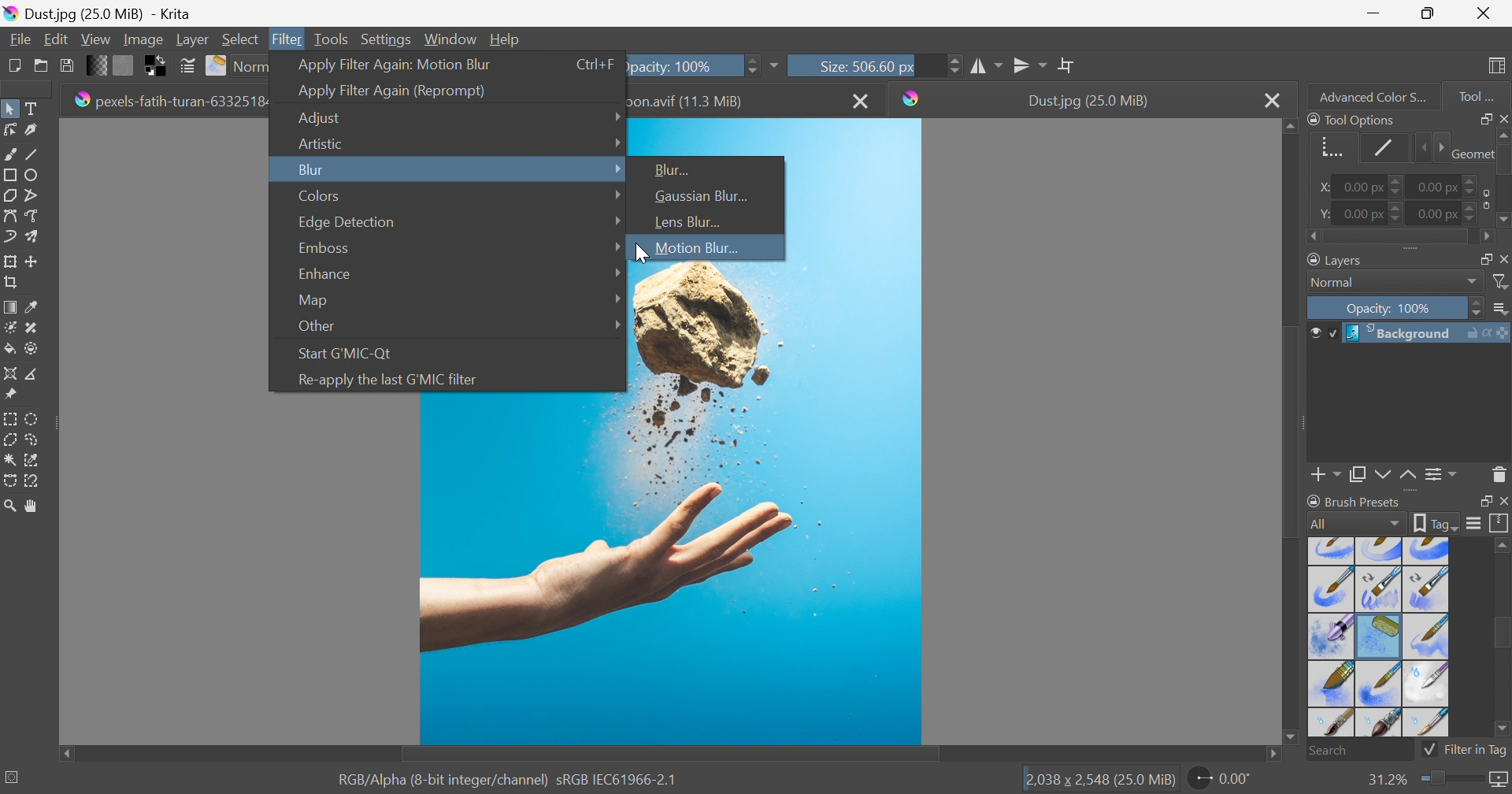 The width and height of the screenshot is (1512, 794). What do you see at coordinates (310, 169) in the screenshot?
I see `Blur` at bounding box center [310, 169].